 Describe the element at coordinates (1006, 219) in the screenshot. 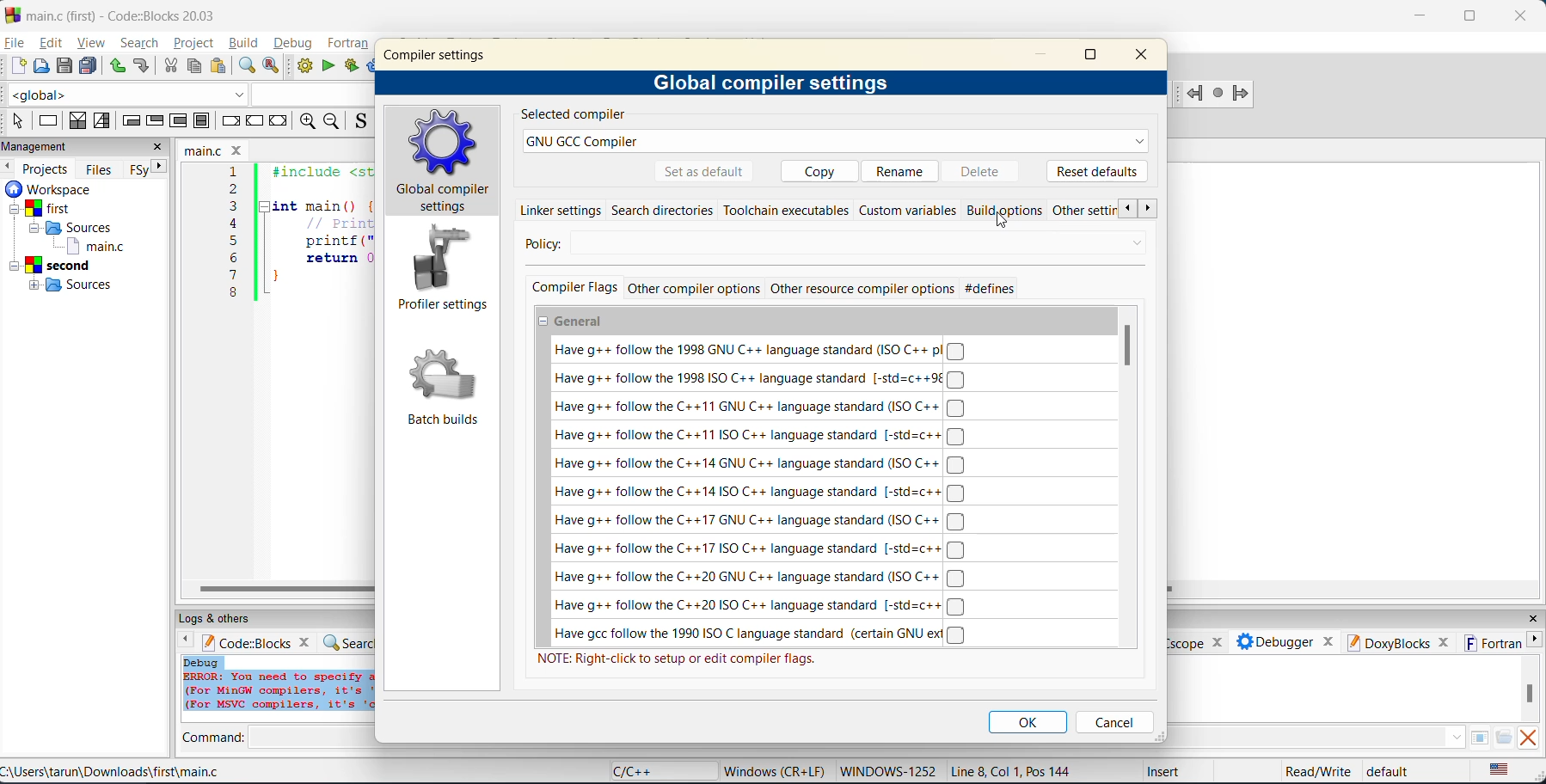

I see `Cursor` at that location.